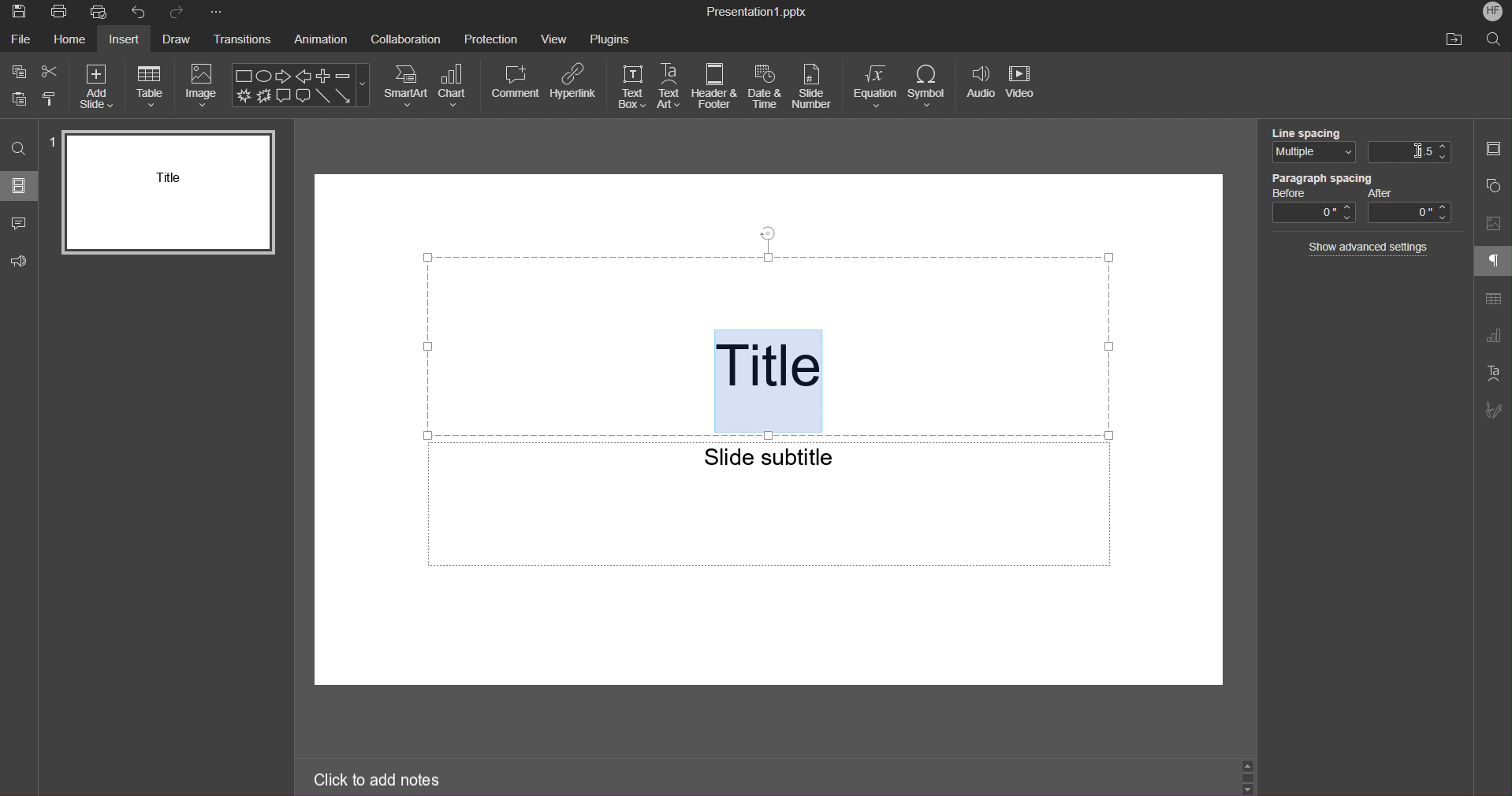 This screenshot has height=796, width=1512. Describe the element at coordinates (20, 261) in the screenshot. I see `Feedback` at that location.